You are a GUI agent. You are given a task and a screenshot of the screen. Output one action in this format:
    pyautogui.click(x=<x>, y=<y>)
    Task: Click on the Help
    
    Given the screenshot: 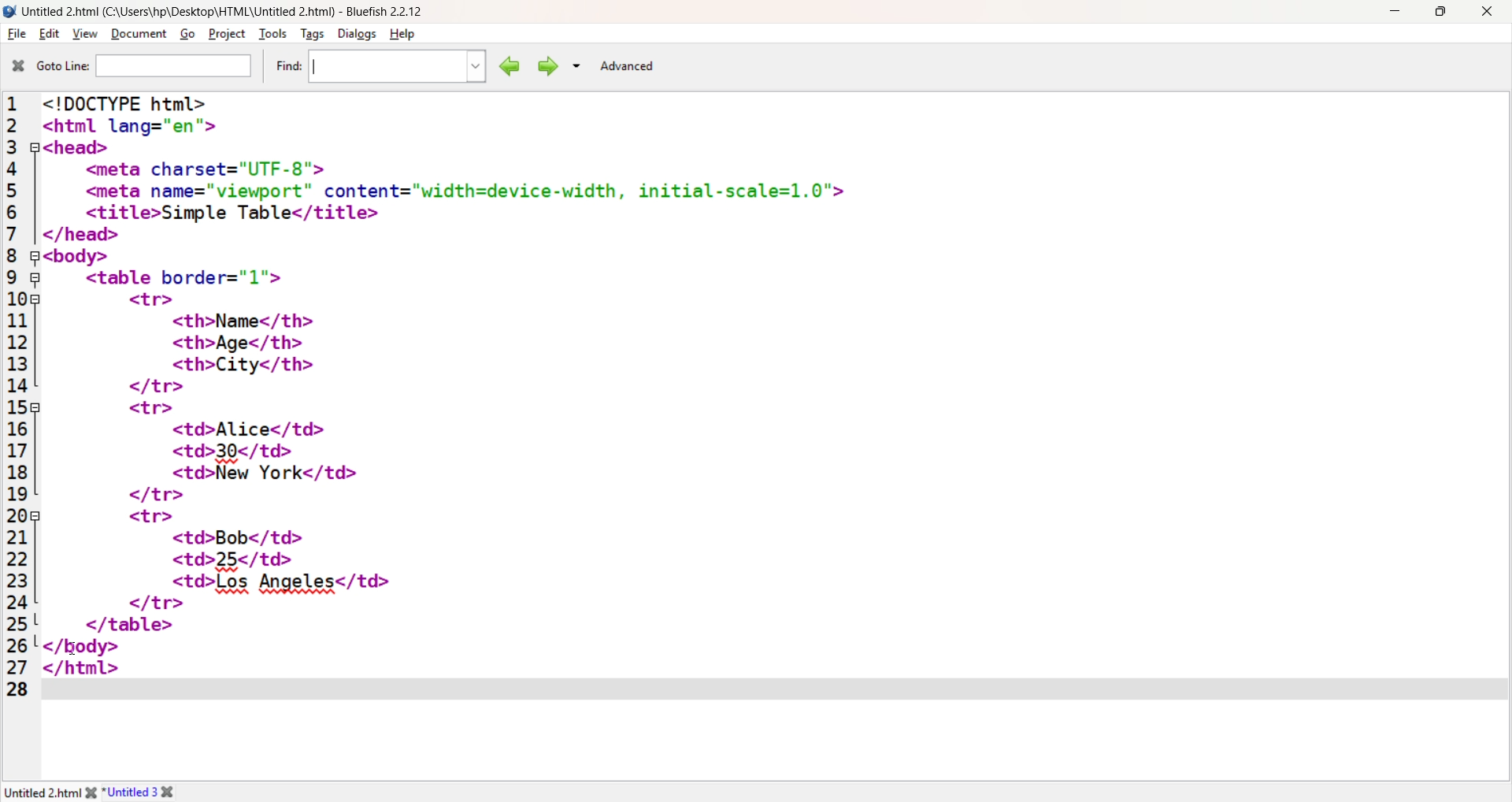 What is the action you would take?
    pyautogui.click(x=405, y=34)
    